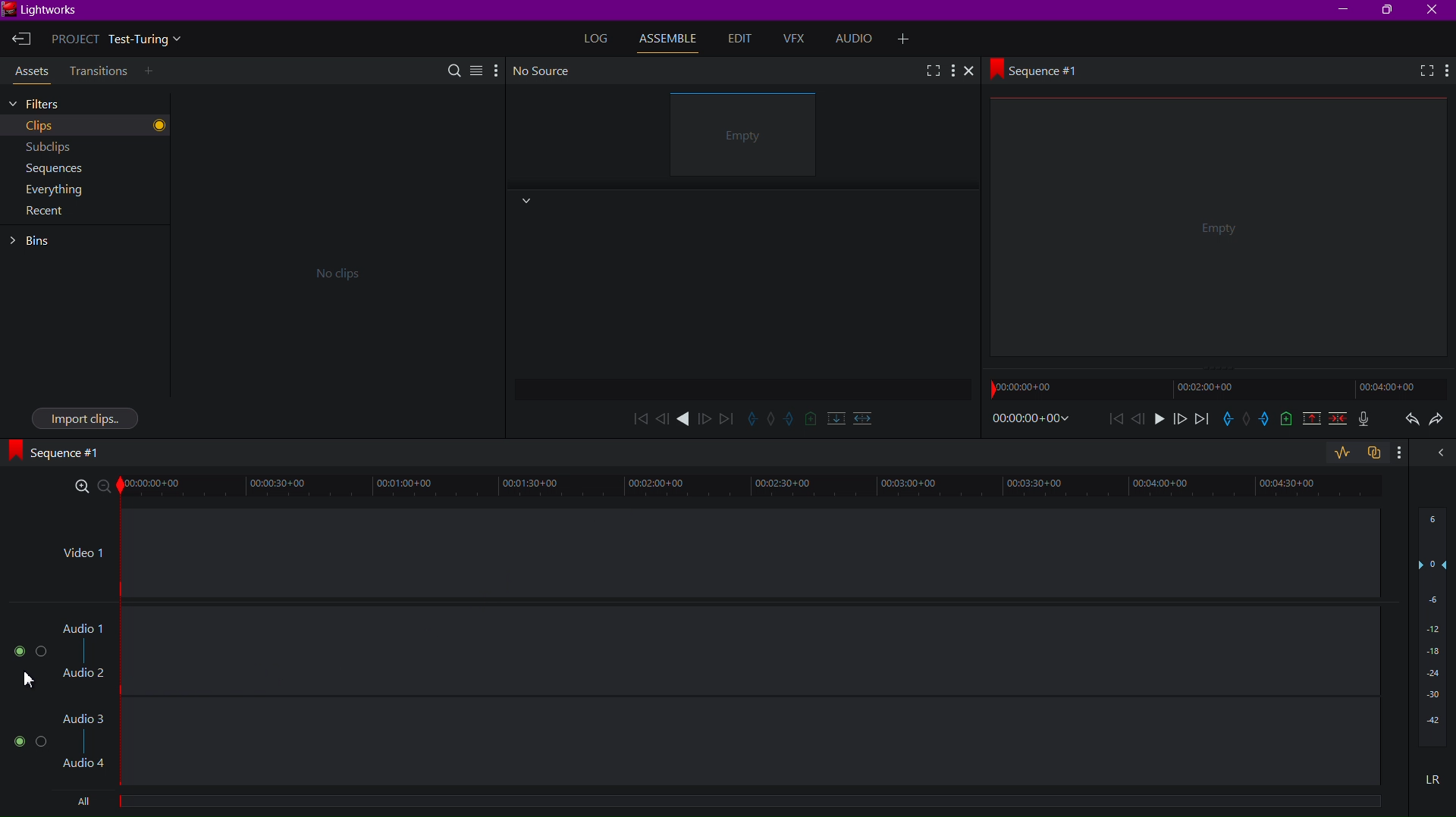 The height and width of the screenshot is (817, 1456). What do you see at coordinates (1309, 421) in the screenshot?
I see `up` at bounding box center [1309, 421].